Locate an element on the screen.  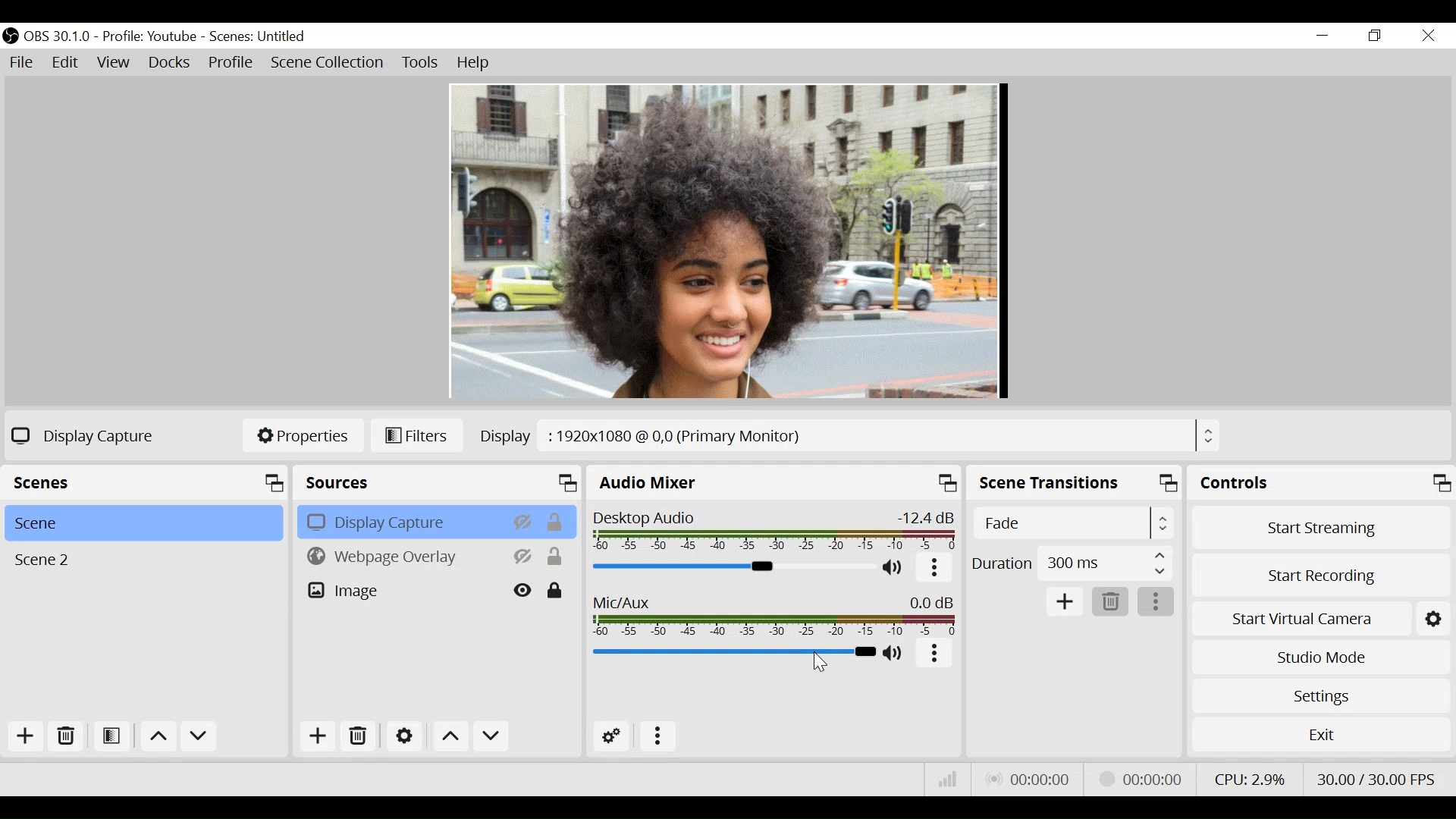
Duration is located at coordinates (1071, 564).